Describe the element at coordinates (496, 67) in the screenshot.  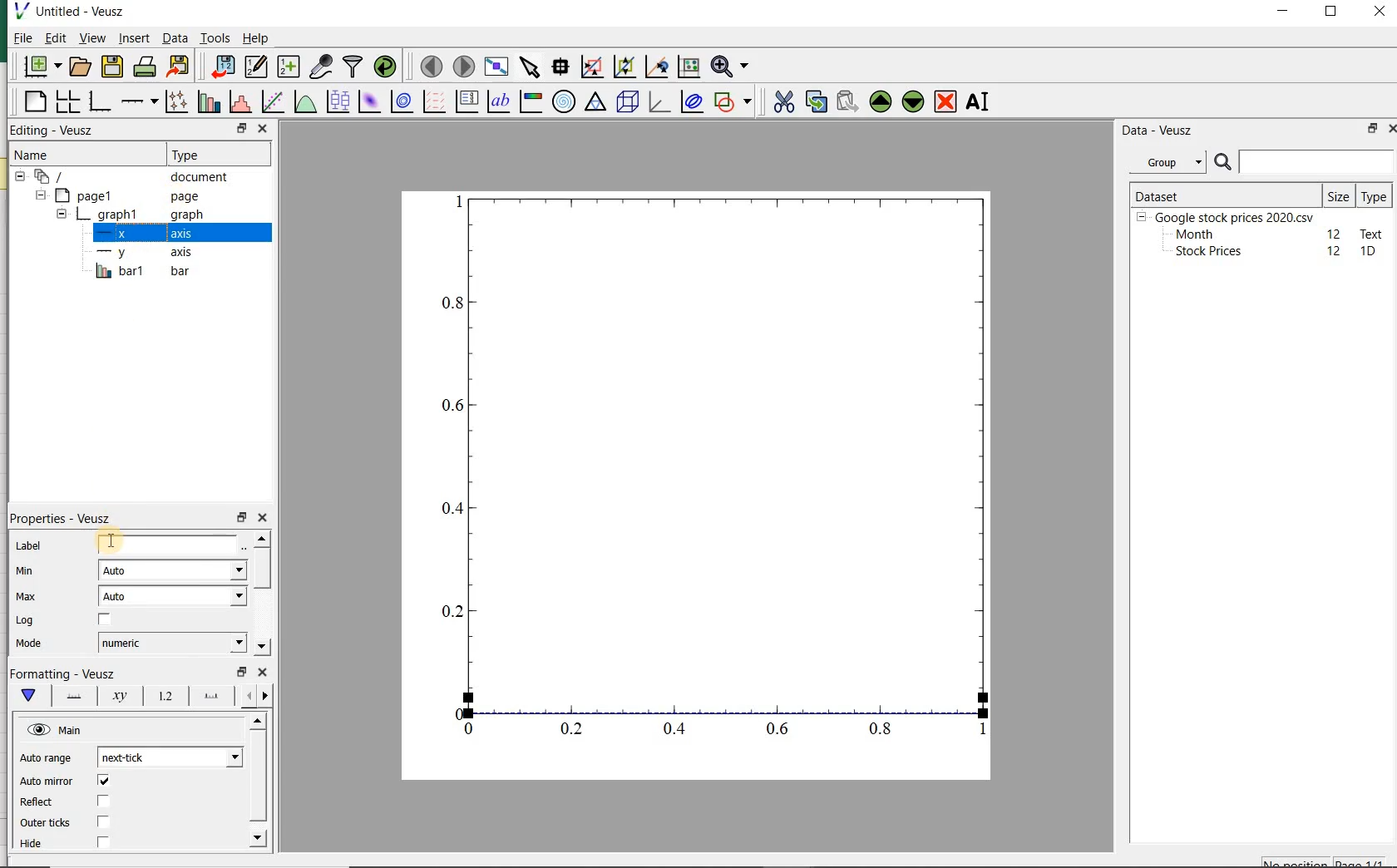
I see `view plot full screen` at that location.